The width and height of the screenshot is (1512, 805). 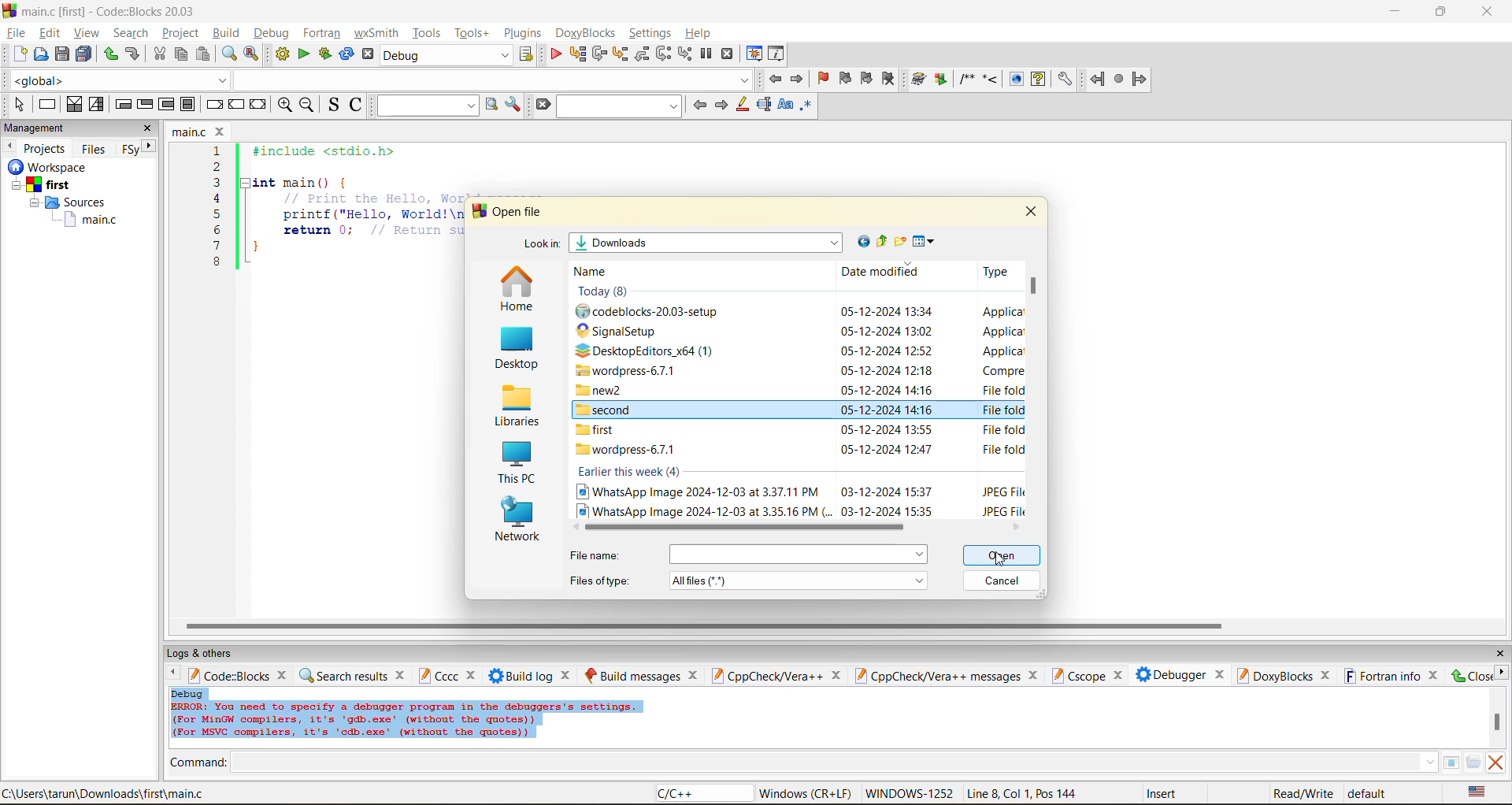 I want to click on close, so click(x=1499, y=654).